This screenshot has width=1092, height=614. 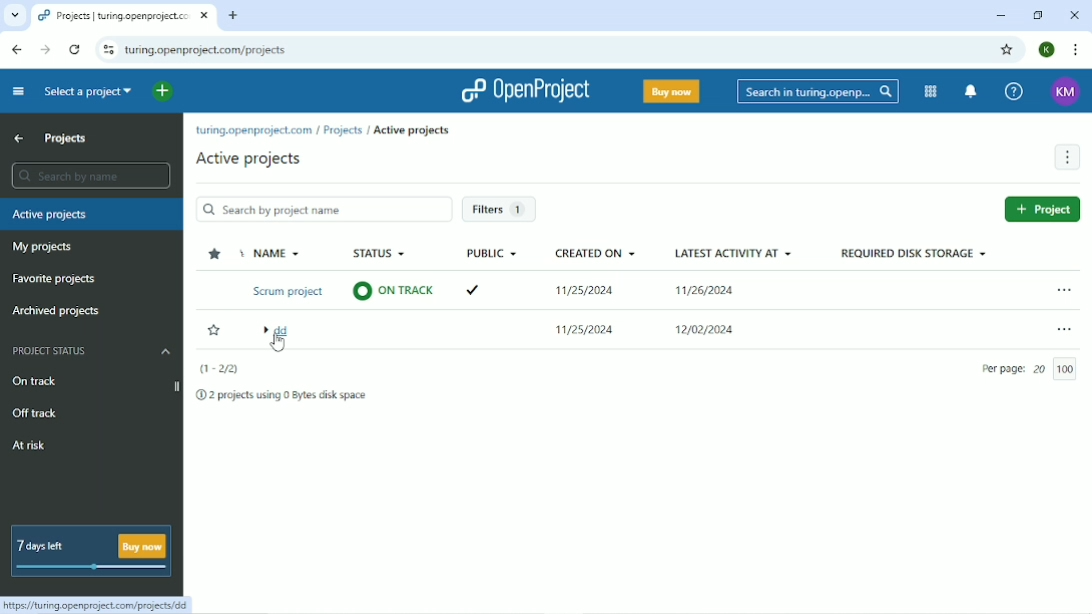 What do you see at coordinates (92, 213) in the screenshot?
I see `Active projects` at bounding box center [92, 213].